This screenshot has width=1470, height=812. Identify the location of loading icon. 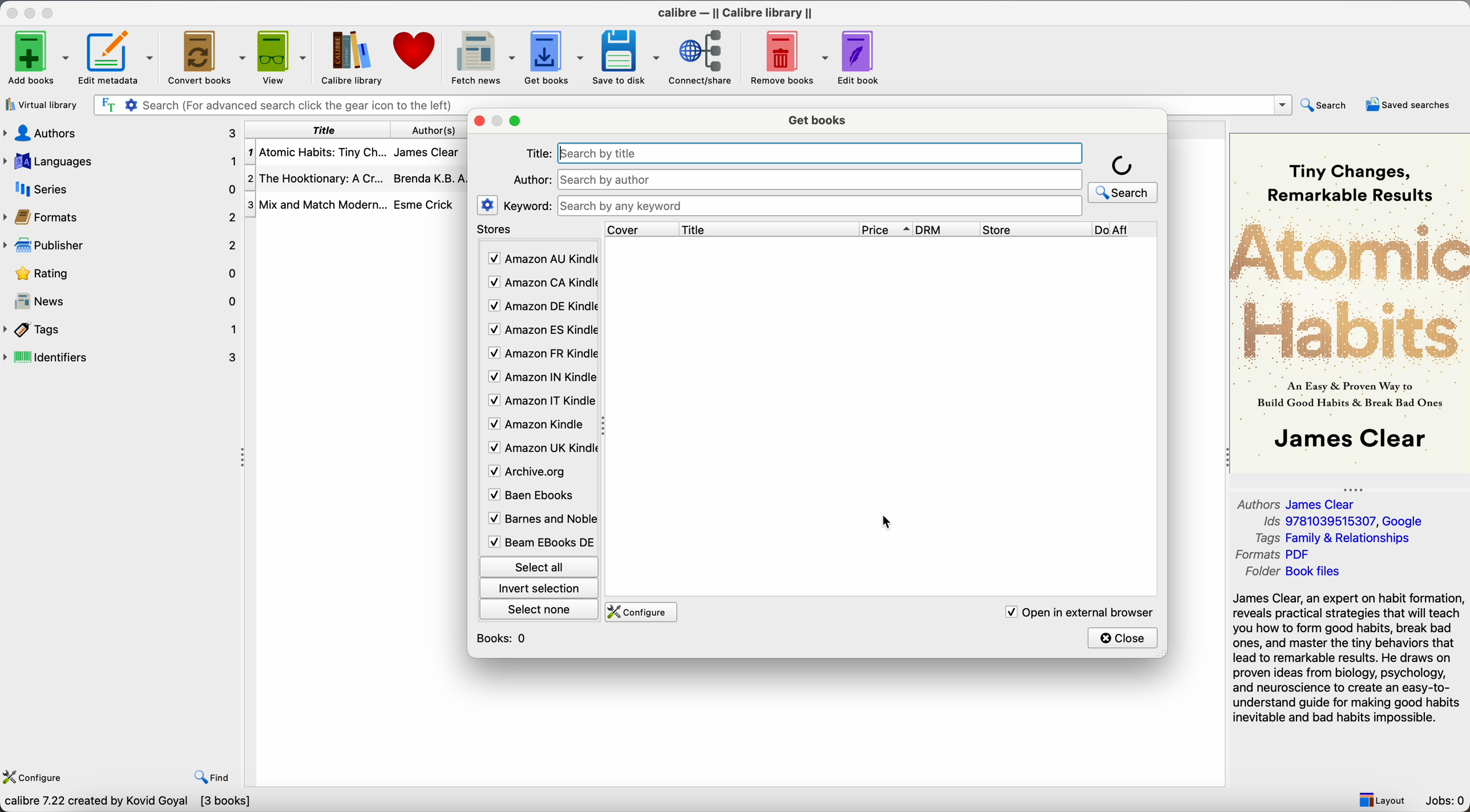
(1122, 164).